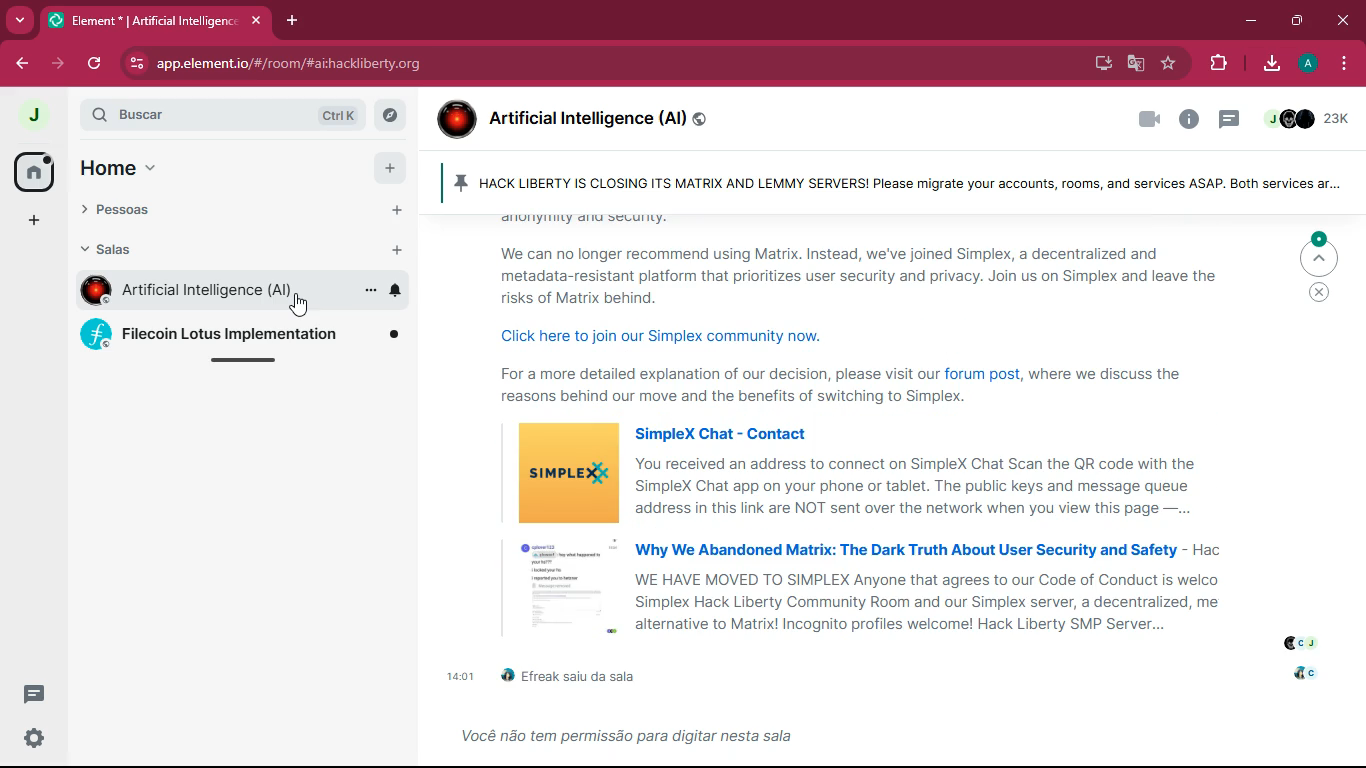 Image resolution: width=1366 pixels, height=768 pixels. What do you see at coordinates (869, 275) in the screenshot?
I see `We can no longer recommend using Matrix. Instead, we've joined Simplex, a decentralized andmetadata-resistant platform that prioritizes user security and privacy. Join us on Simplex and leave the risks of Matrix behind.` at bounding box center [869, 275].